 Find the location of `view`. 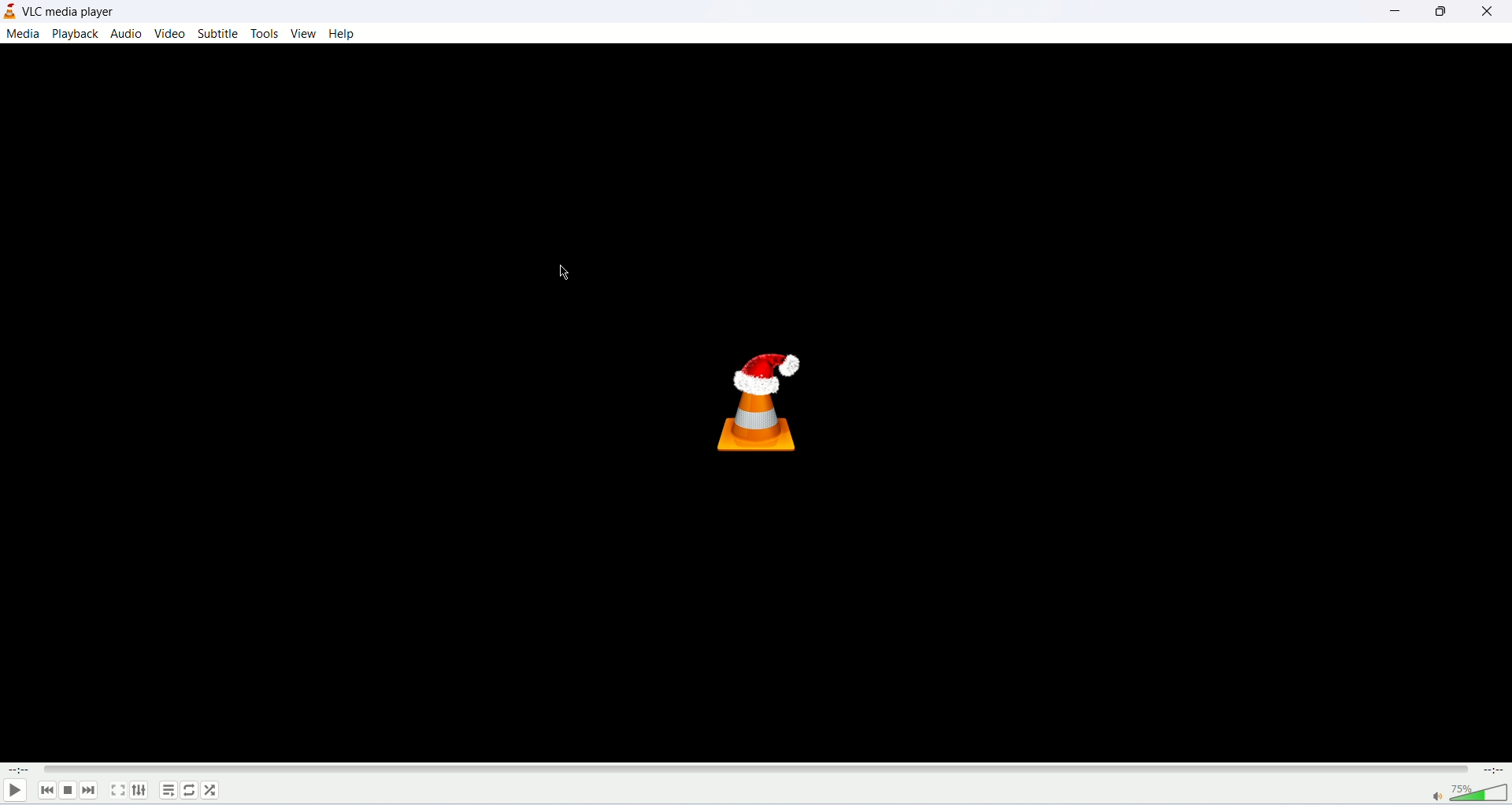

view is located at coordinates (304, 33).